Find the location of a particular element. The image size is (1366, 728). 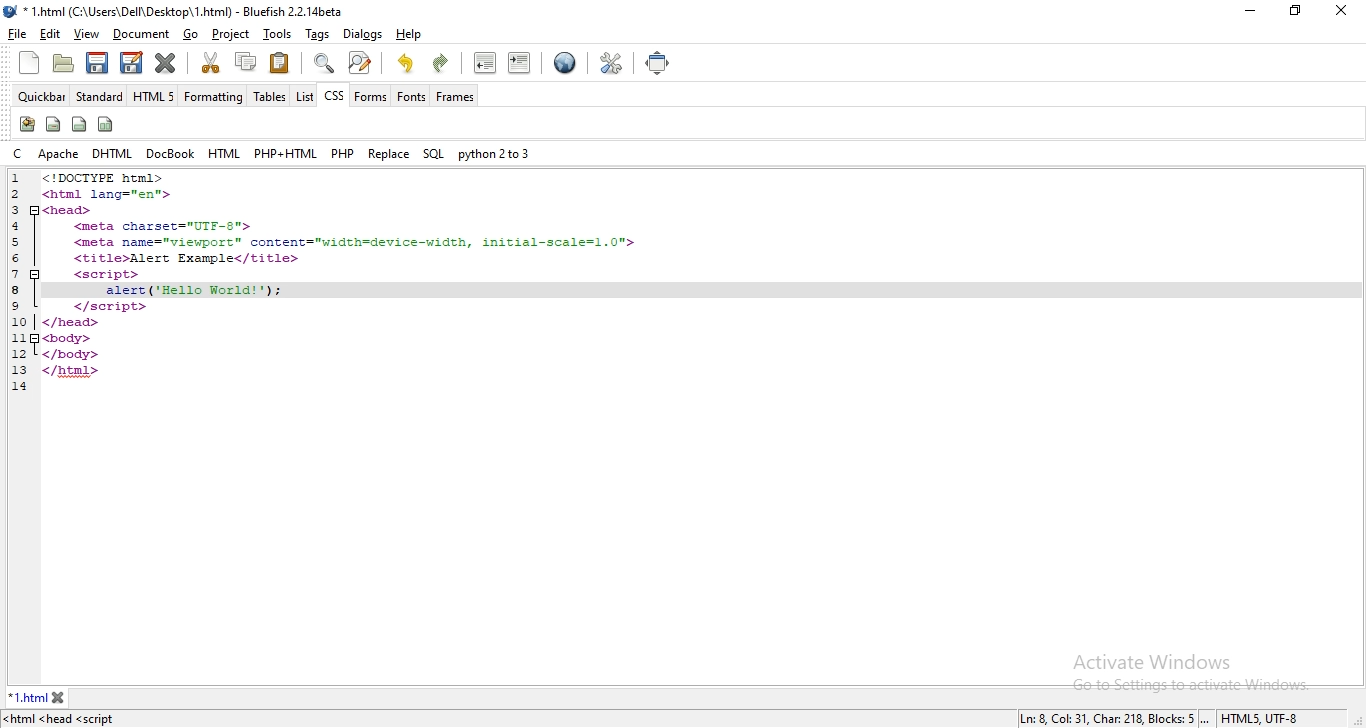

formatting is located at coordinates (211, 96).